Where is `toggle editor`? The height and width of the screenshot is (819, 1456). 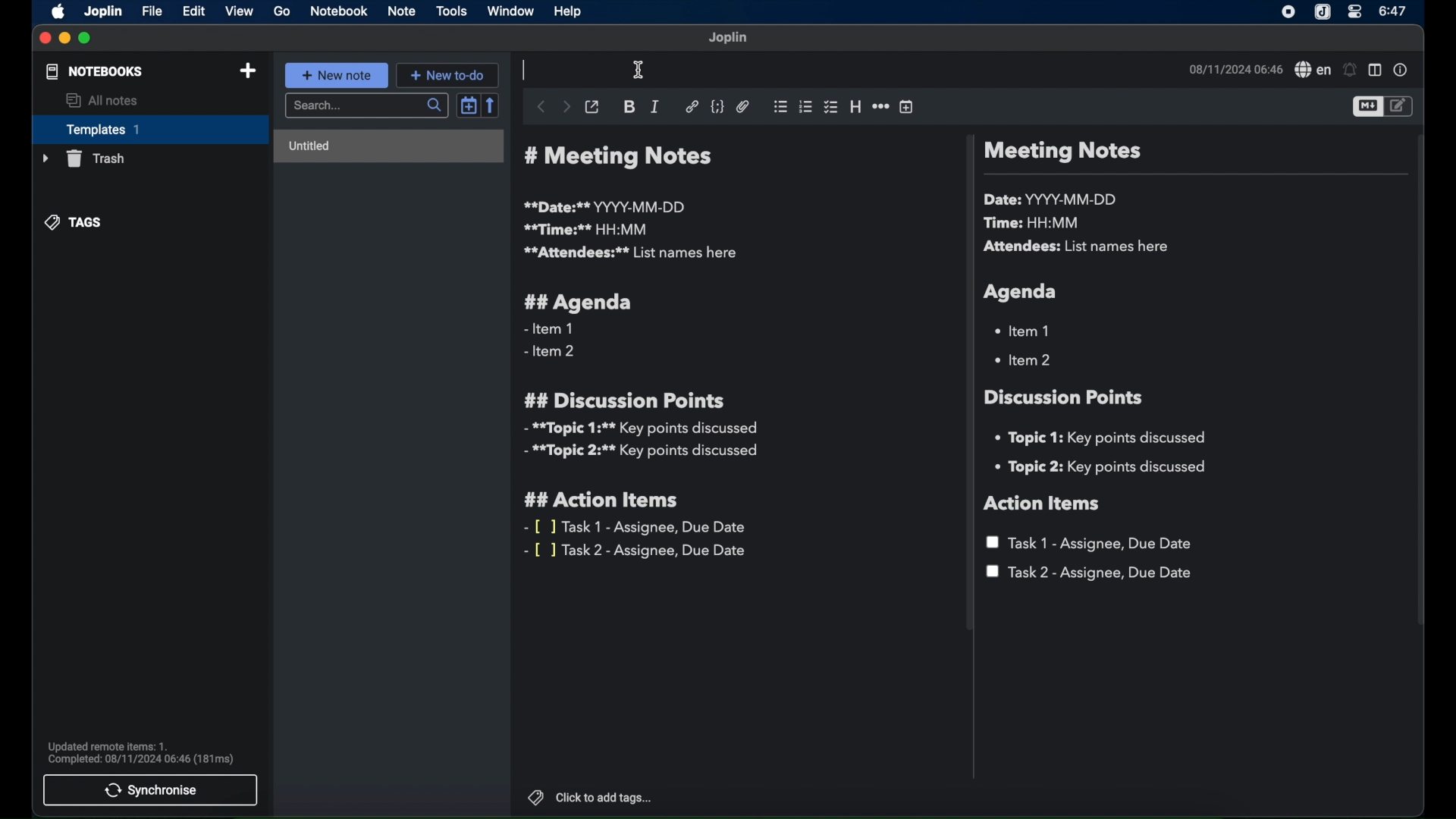 toggle editor is located at coordinates (1399, 106).